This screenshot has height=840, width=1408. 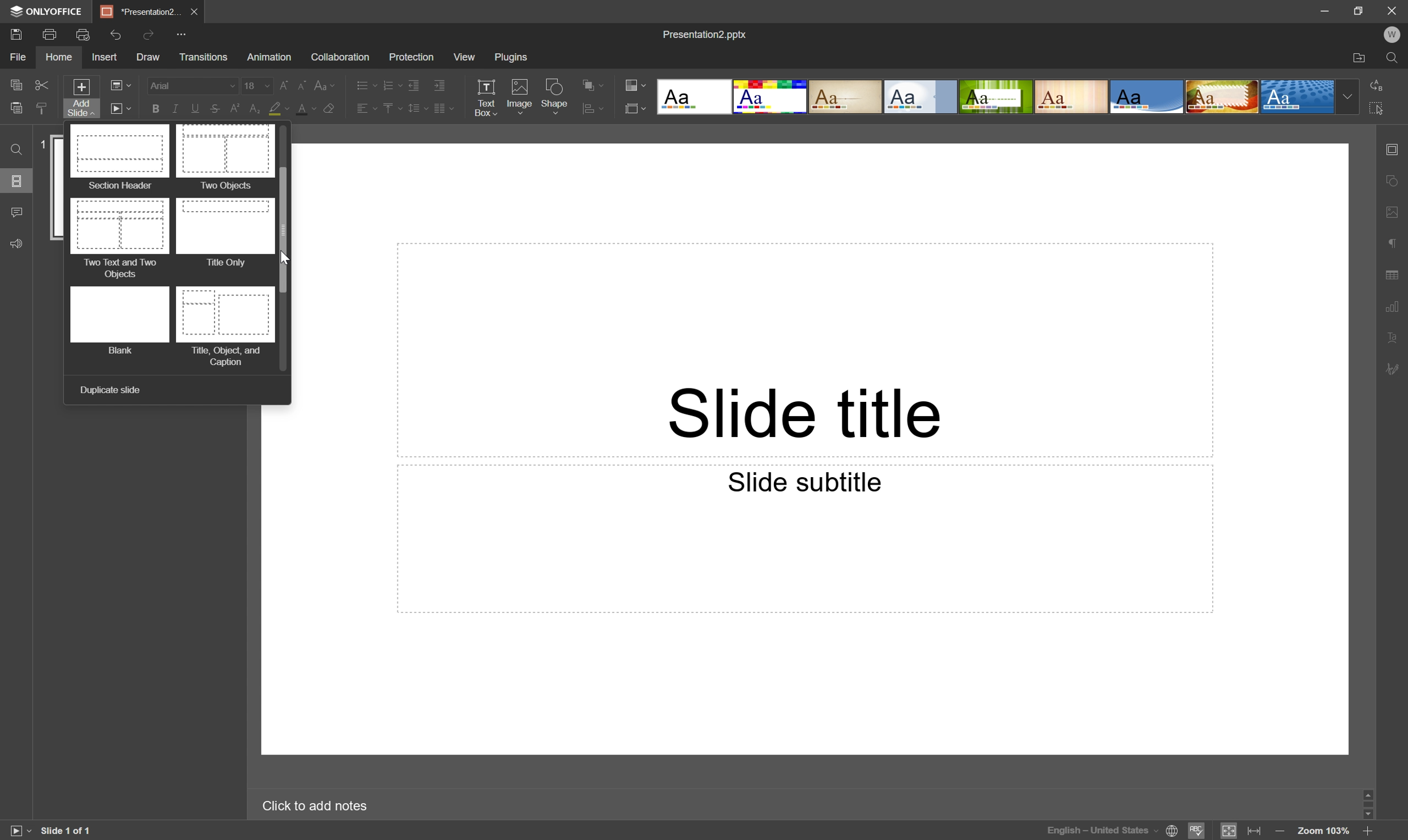 What do you see at coordinates (1230, 830) in the screenshot?
I see `Fit to slide` at bounding box center [1230, 830].